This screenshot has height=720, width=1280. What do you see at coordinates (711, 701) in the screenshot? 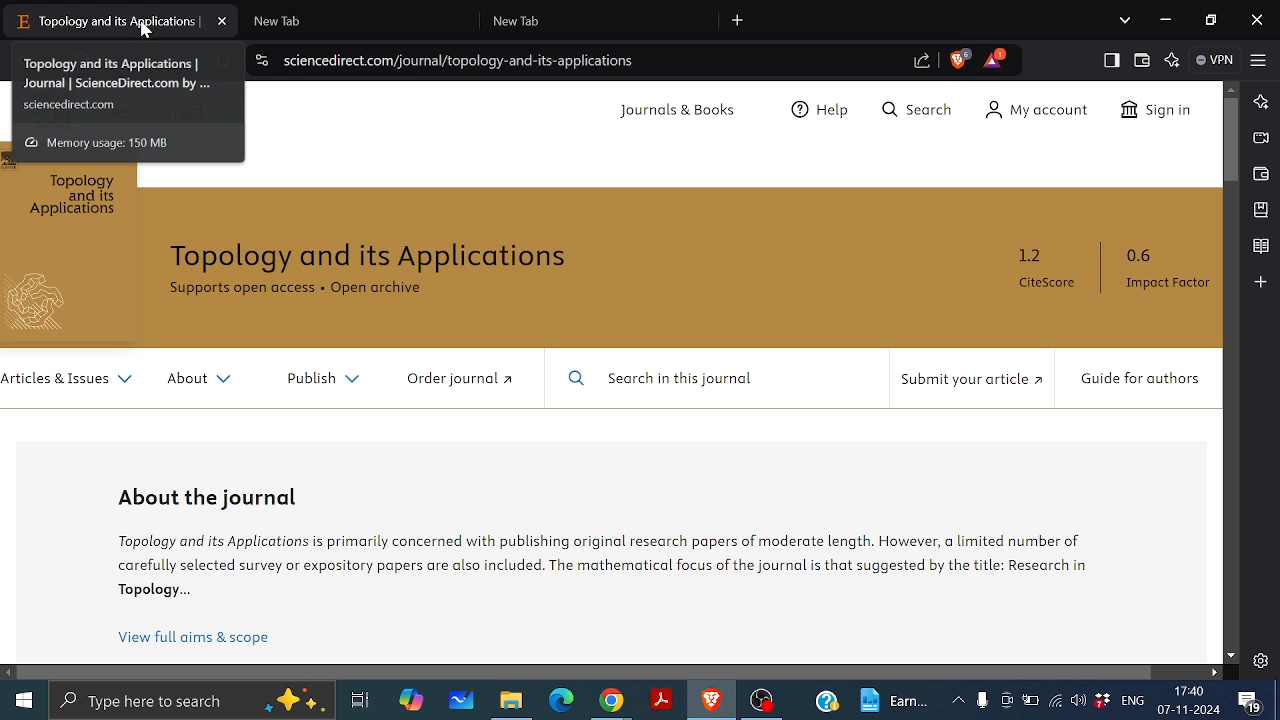
I see `Brave browser` at bounding box center [711, 701].